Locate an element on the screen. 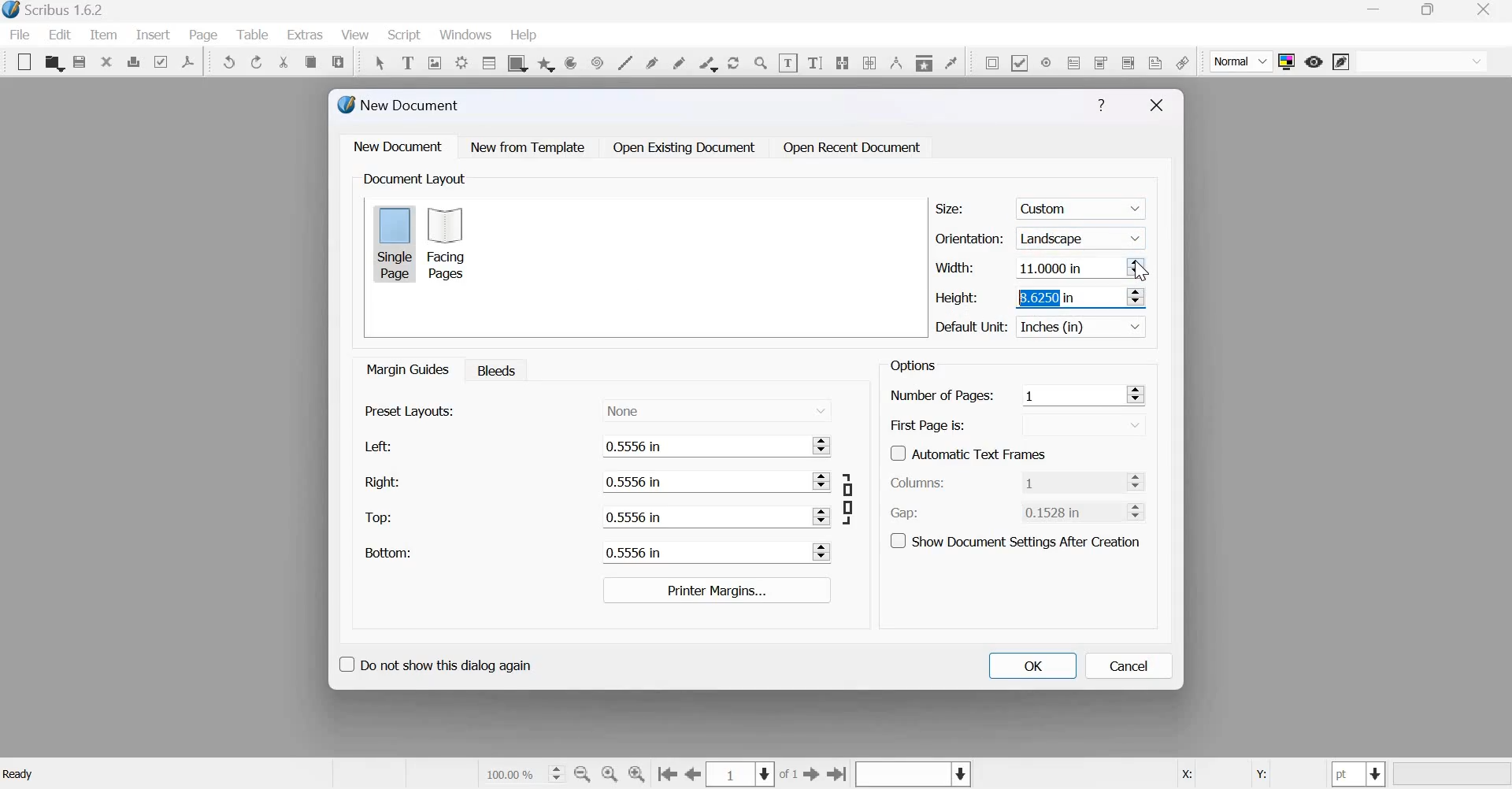  Options is located at coordinates (910, 365).